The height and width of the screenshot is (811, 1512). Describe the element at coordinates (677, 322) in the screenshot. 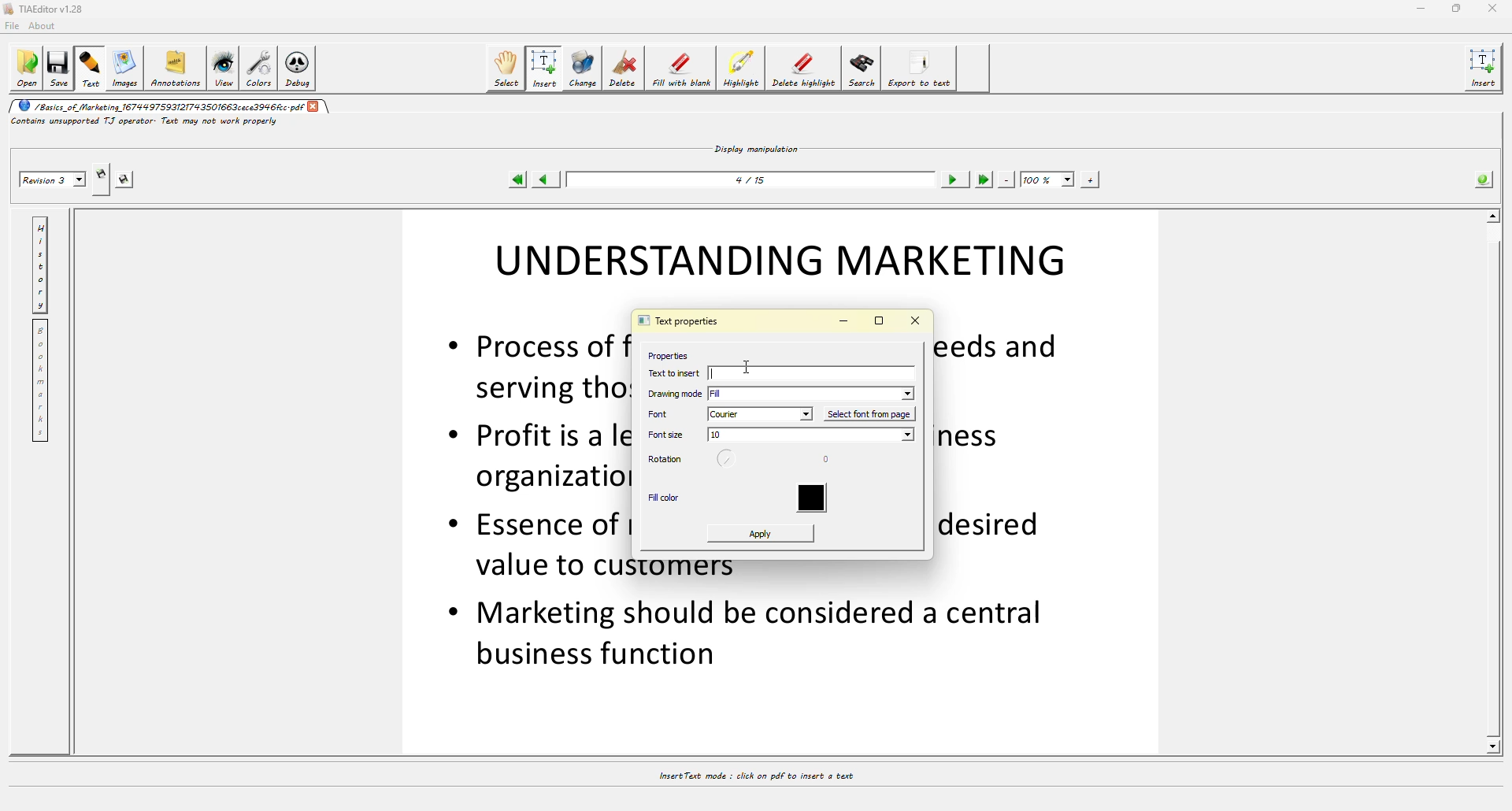

I see `text properties` at that location.